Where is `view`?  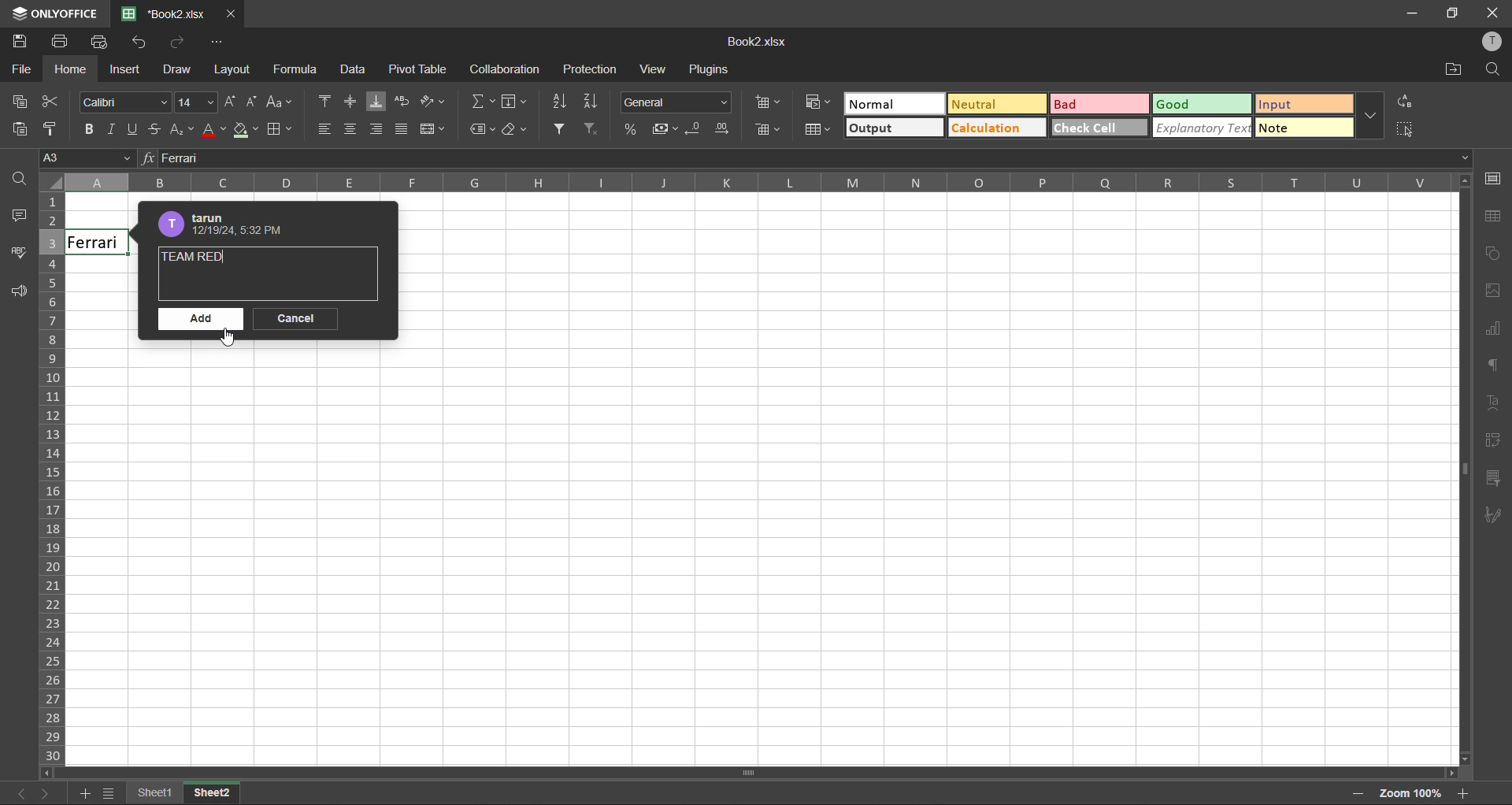 view is located at coordinates (654, 69).